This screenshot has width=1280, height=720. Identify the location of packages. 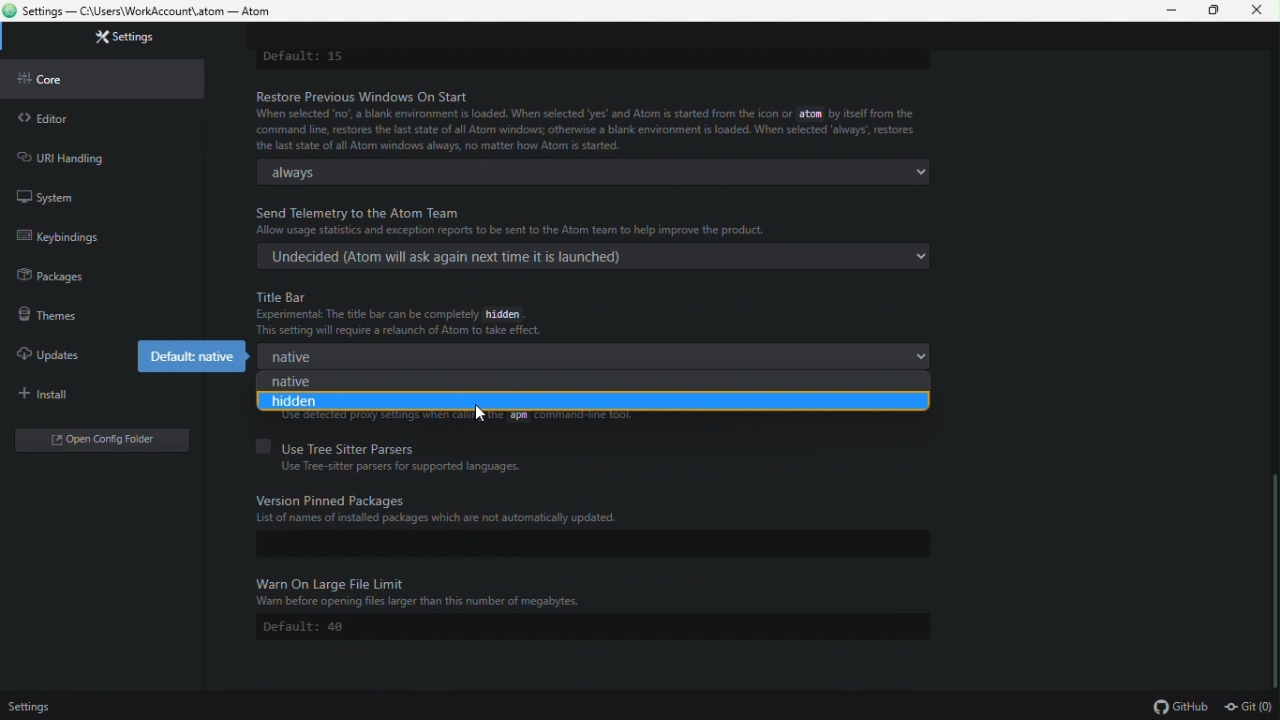
(109, 275).